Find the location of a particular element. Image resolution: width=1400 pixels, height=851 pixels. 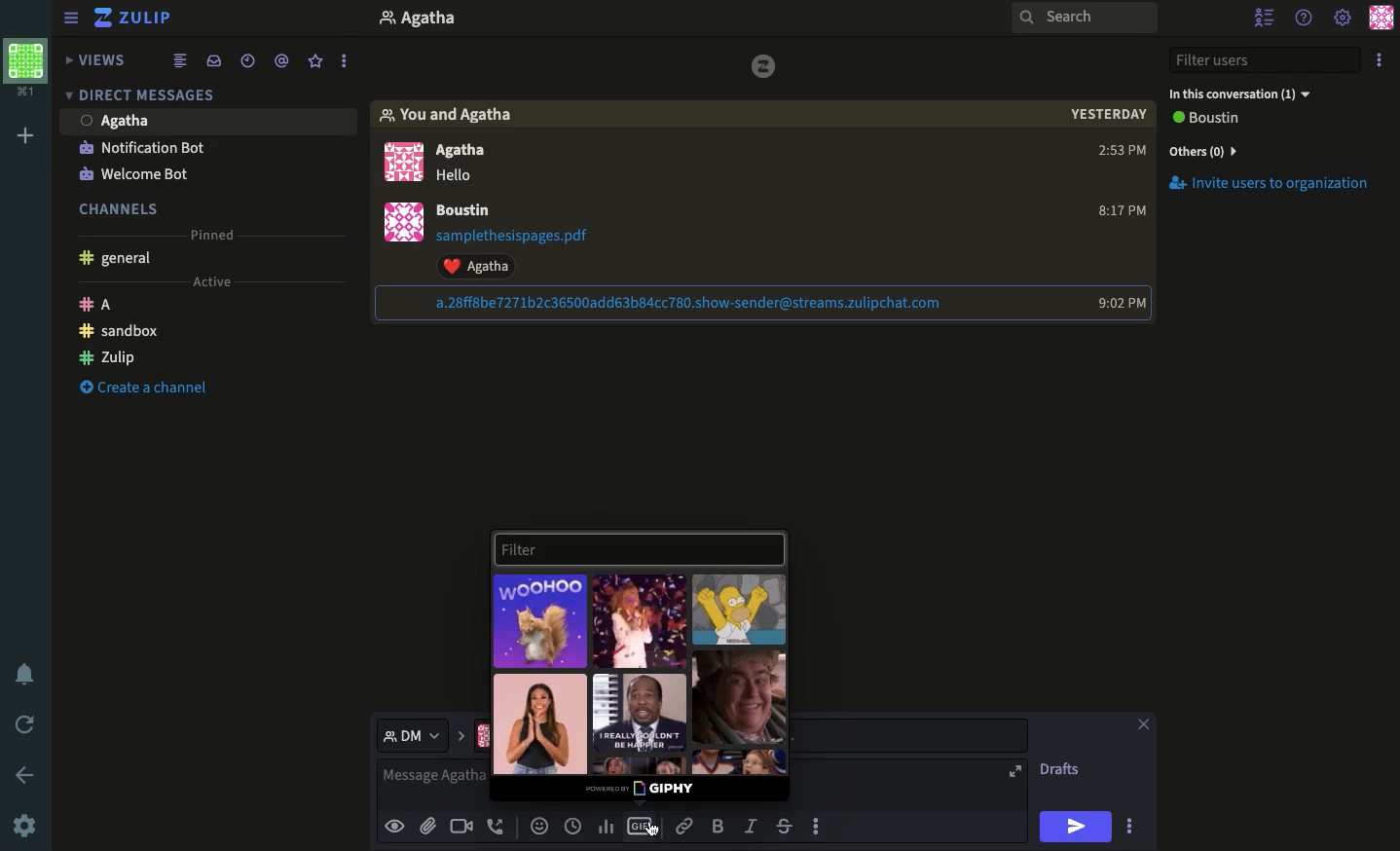

Strikethrough is located at coordinates (785, 826).